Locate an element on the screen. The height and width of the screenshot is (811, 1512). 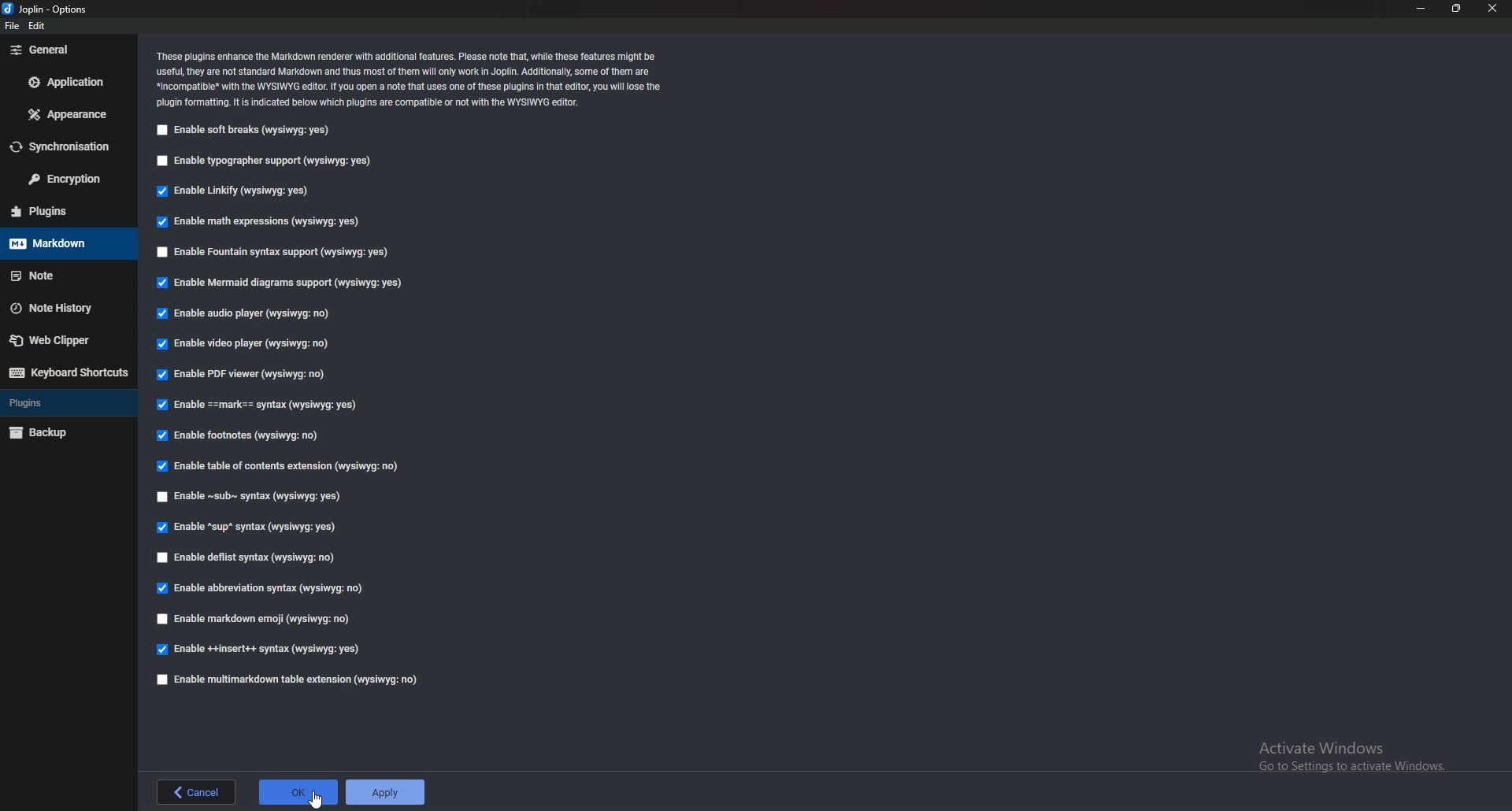
application is located at coordinates (65, 80).